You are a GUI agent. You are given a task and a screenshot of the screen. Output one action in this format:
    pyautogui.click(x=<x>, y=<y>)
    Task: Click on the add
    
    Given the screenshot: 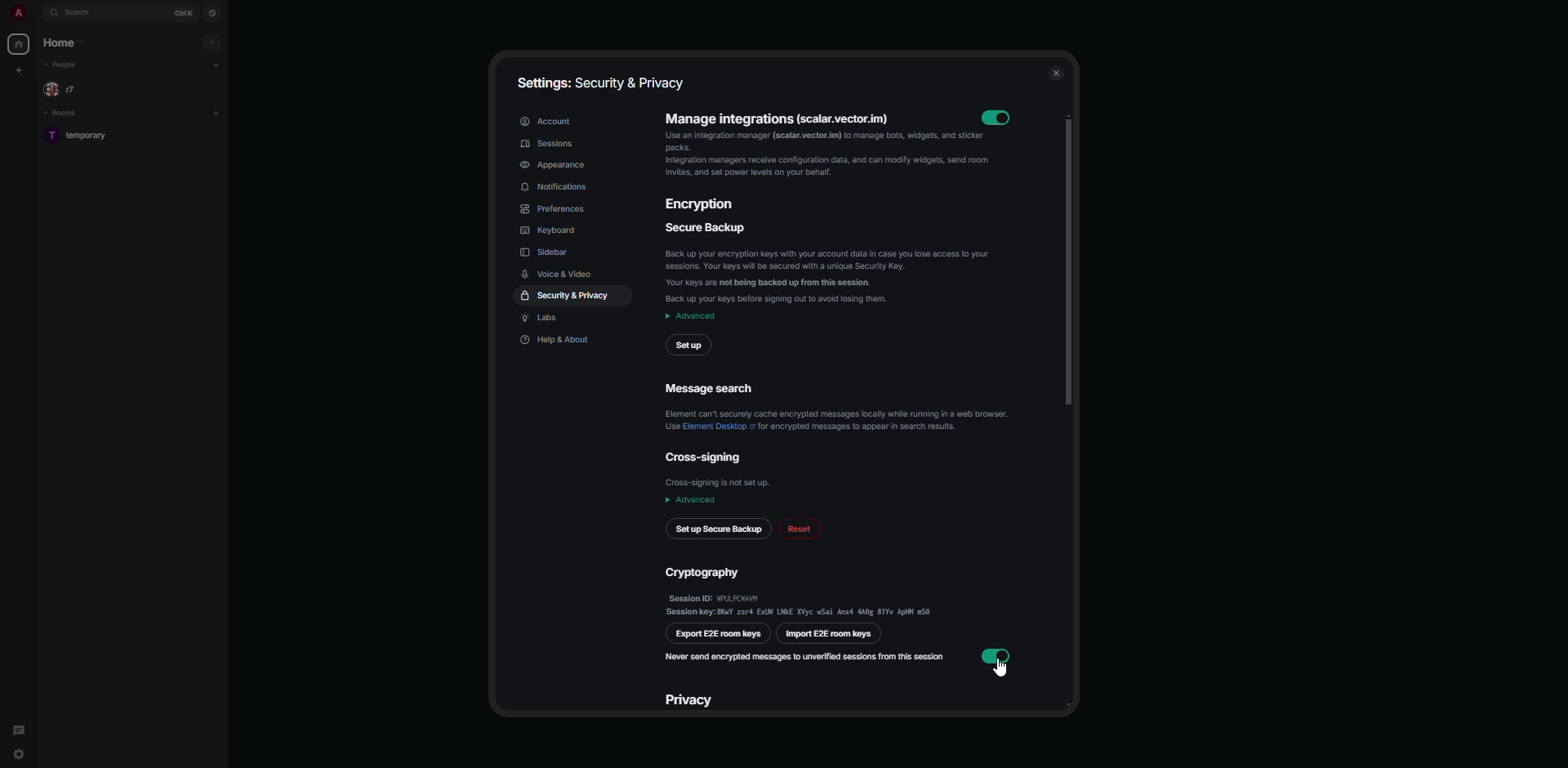 What is the action you would take?
    pyautogui.click(x=218, y=65)
    